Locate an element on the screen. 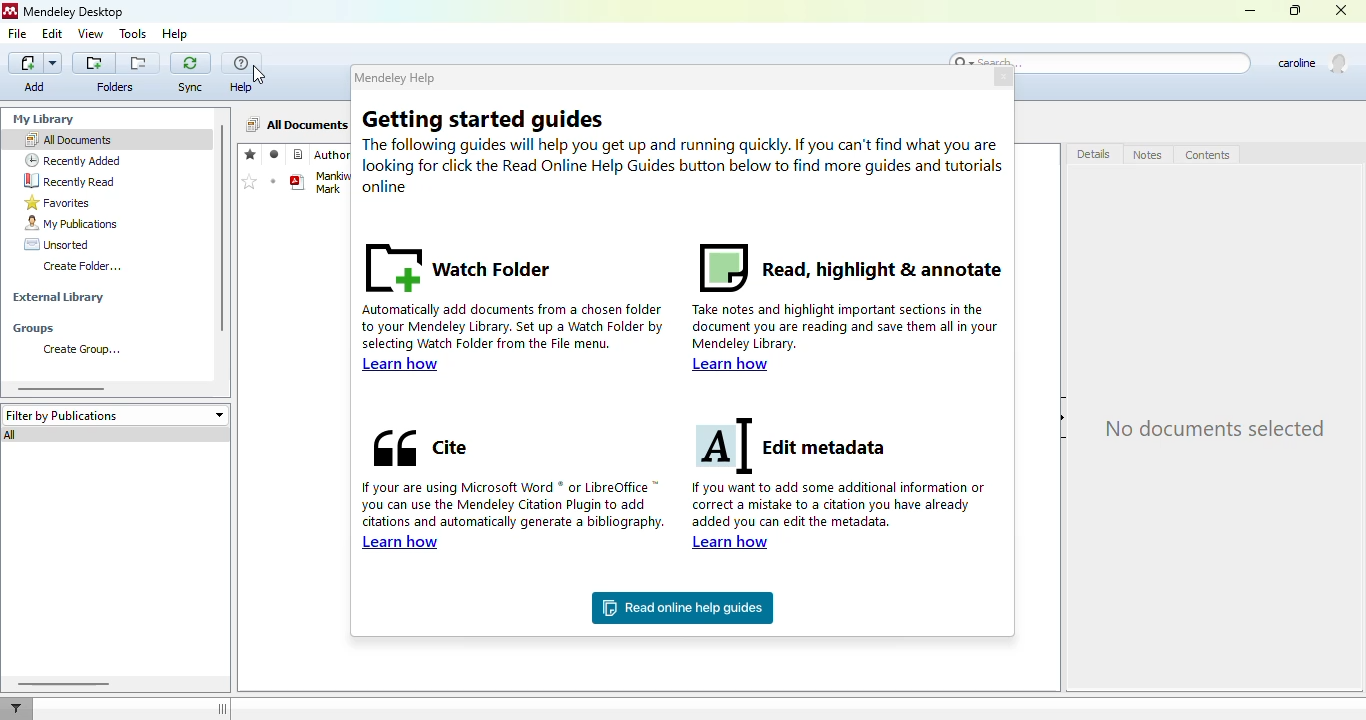 The image size is (1366, 720). recently added is located at coordinates (73, 160).